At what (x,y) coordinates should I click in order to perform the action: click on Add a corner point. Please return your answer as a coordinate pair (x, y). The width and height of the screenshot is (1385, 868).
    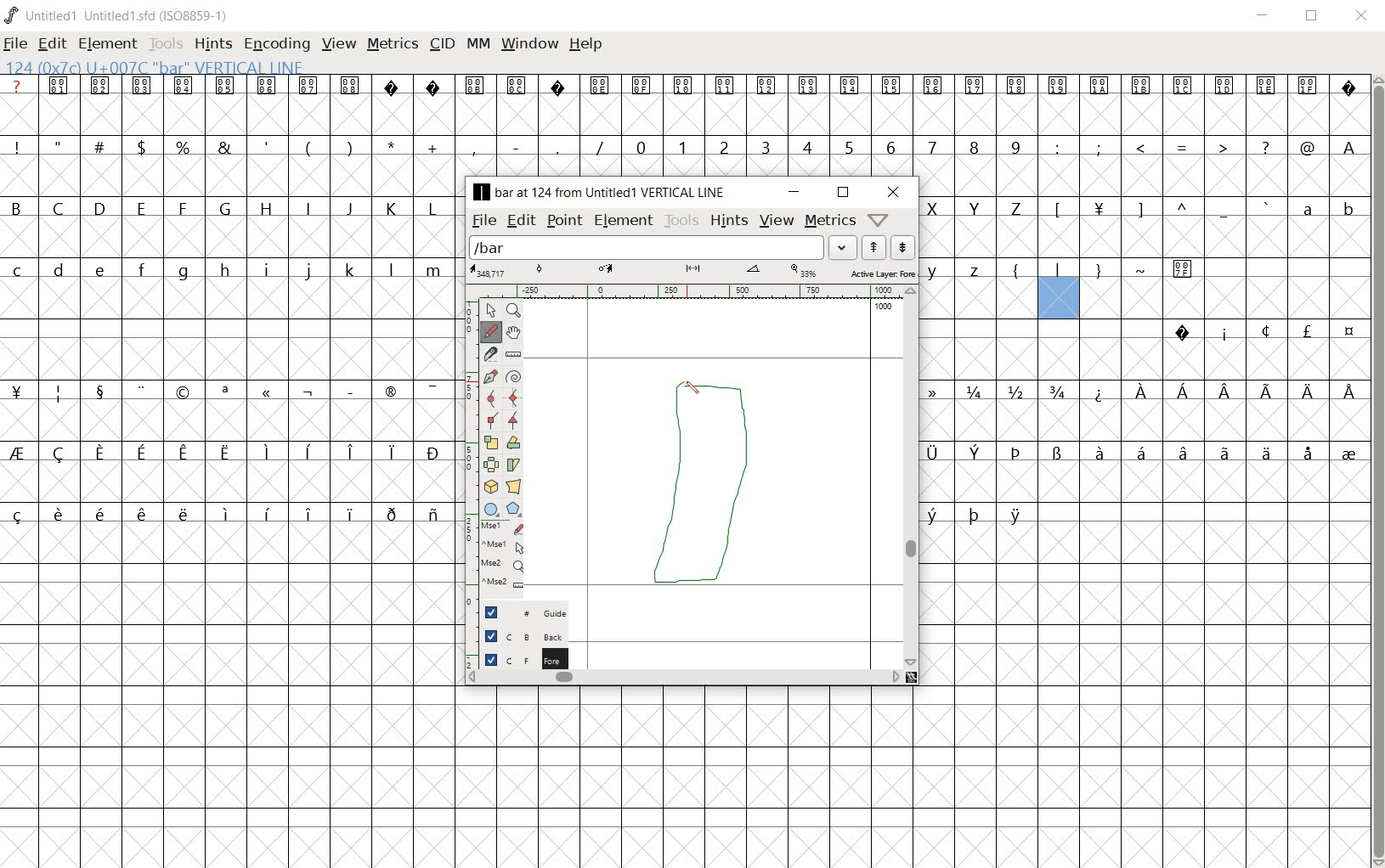
    Looking at the image, I should click on (515, 421).